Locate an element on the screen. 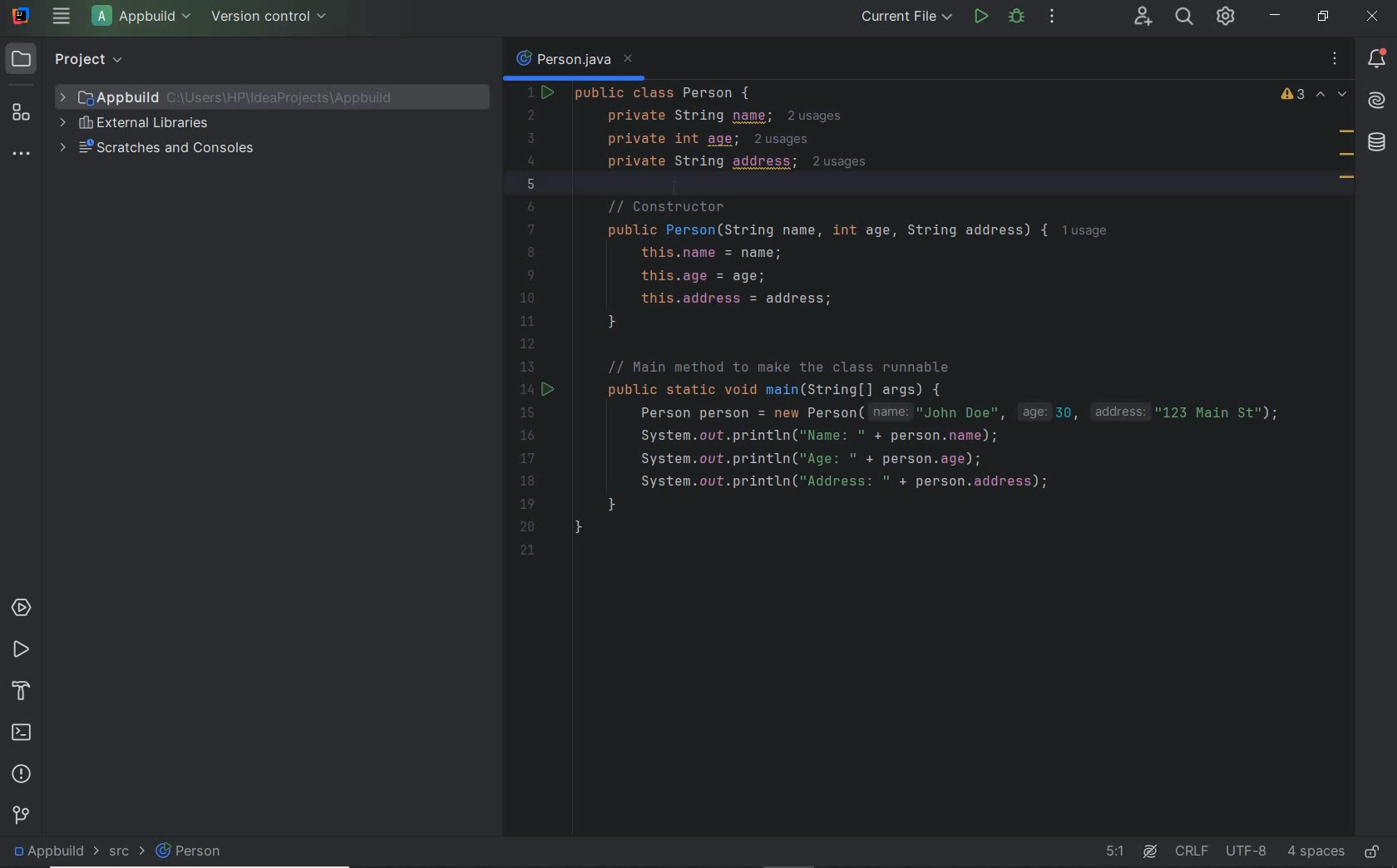  project is located at coordinates (70, 59).